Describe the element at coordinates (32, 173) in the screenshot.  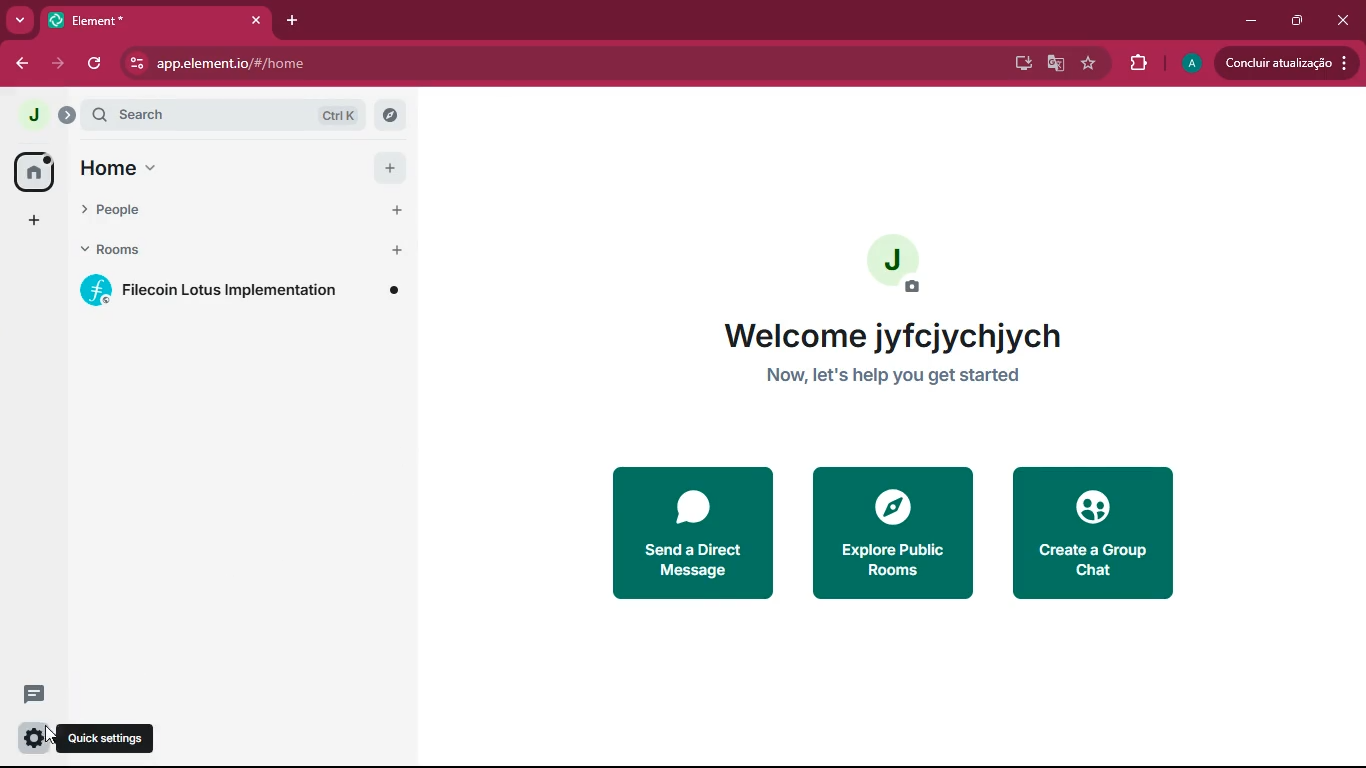
I see `home` at that location.